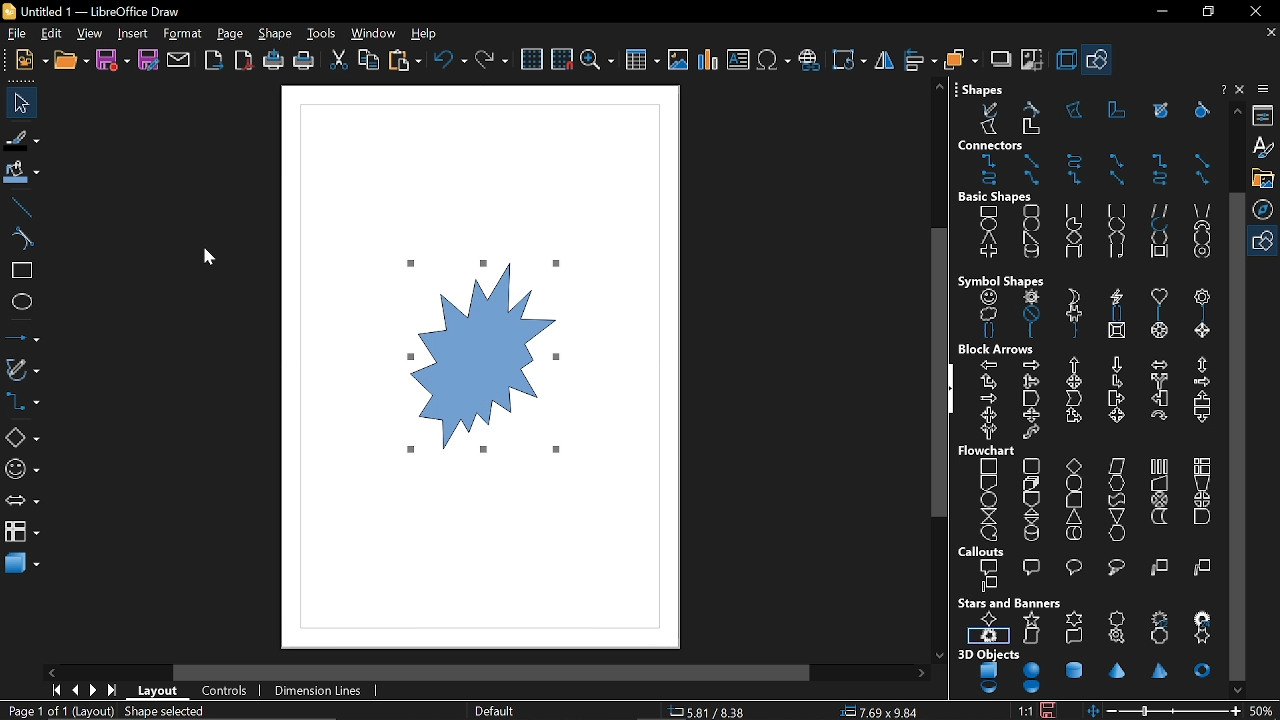  What do you see at coordinates (52, 34) in the screenshot?
I see `EDit` at bounding box center [52, 34].